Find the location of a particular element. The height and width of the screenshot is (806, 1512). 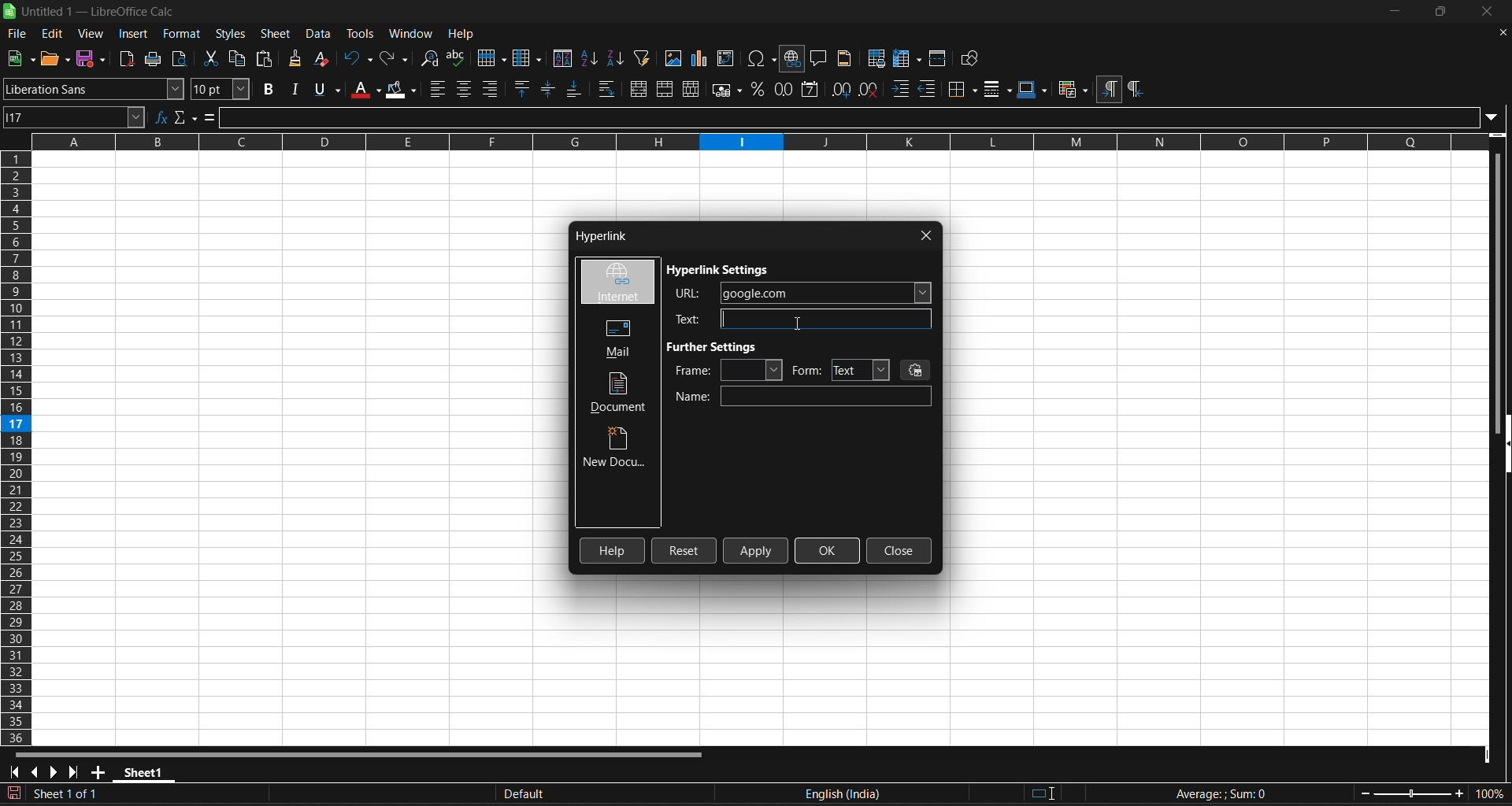

help is located at coordinates (461, 32).